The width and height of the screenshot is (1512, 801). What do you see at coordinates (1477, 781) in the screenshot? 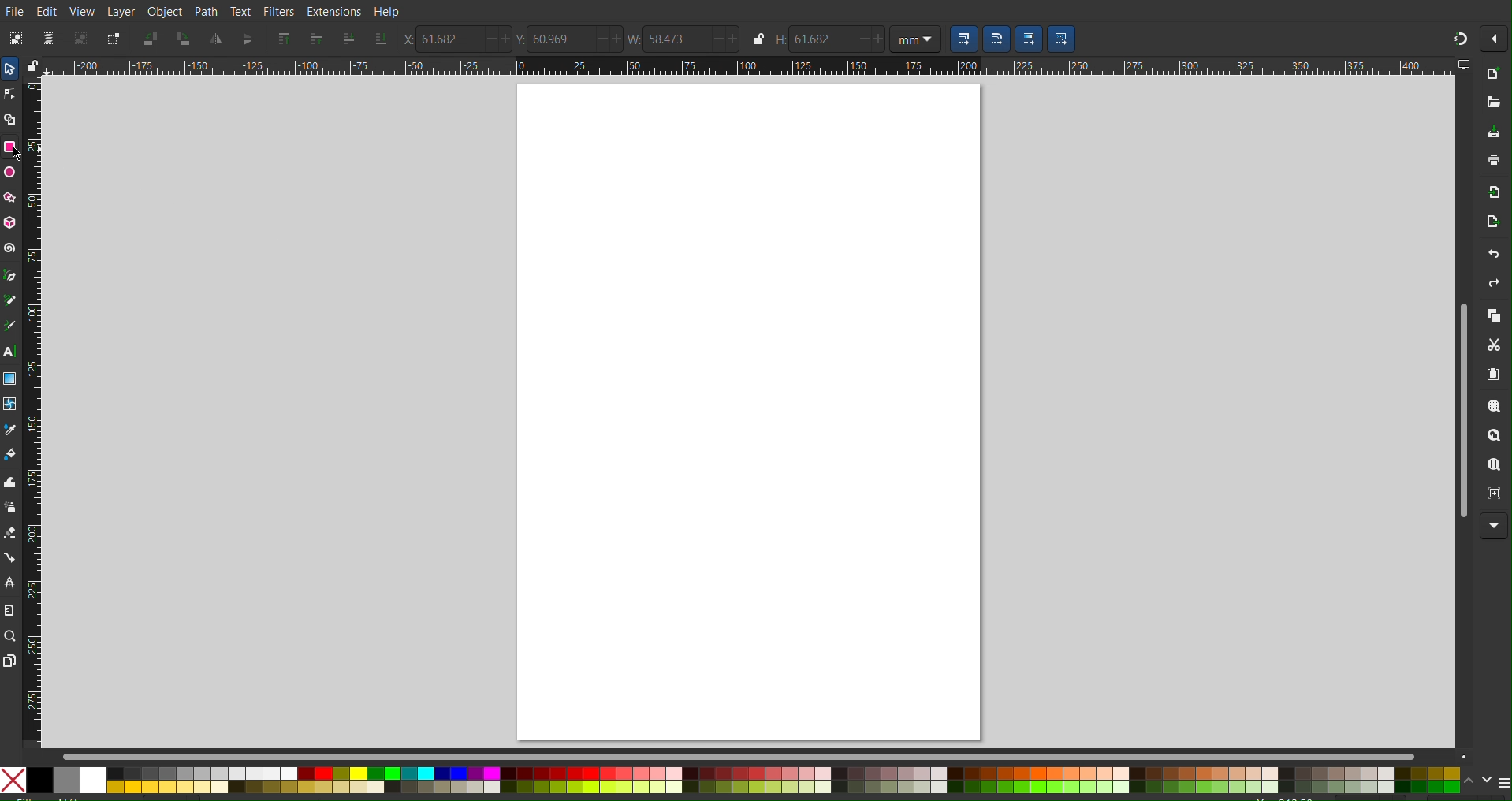
I see `navigate the colors` at bounding box center [1477, 781].